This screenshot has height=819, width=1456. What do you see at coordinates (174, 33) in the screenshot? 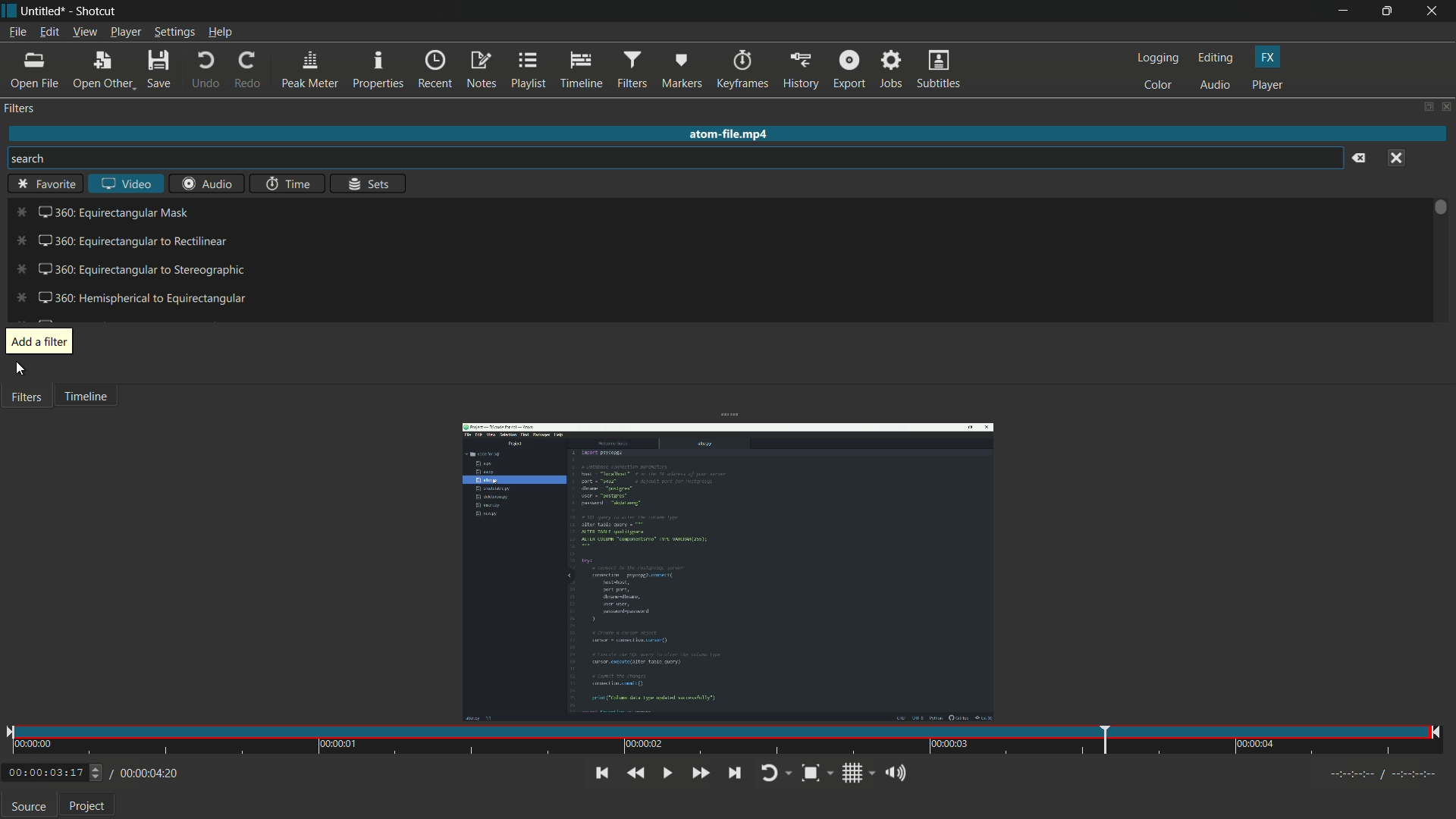
I see `settings menu` at bounding box center [174, 33].